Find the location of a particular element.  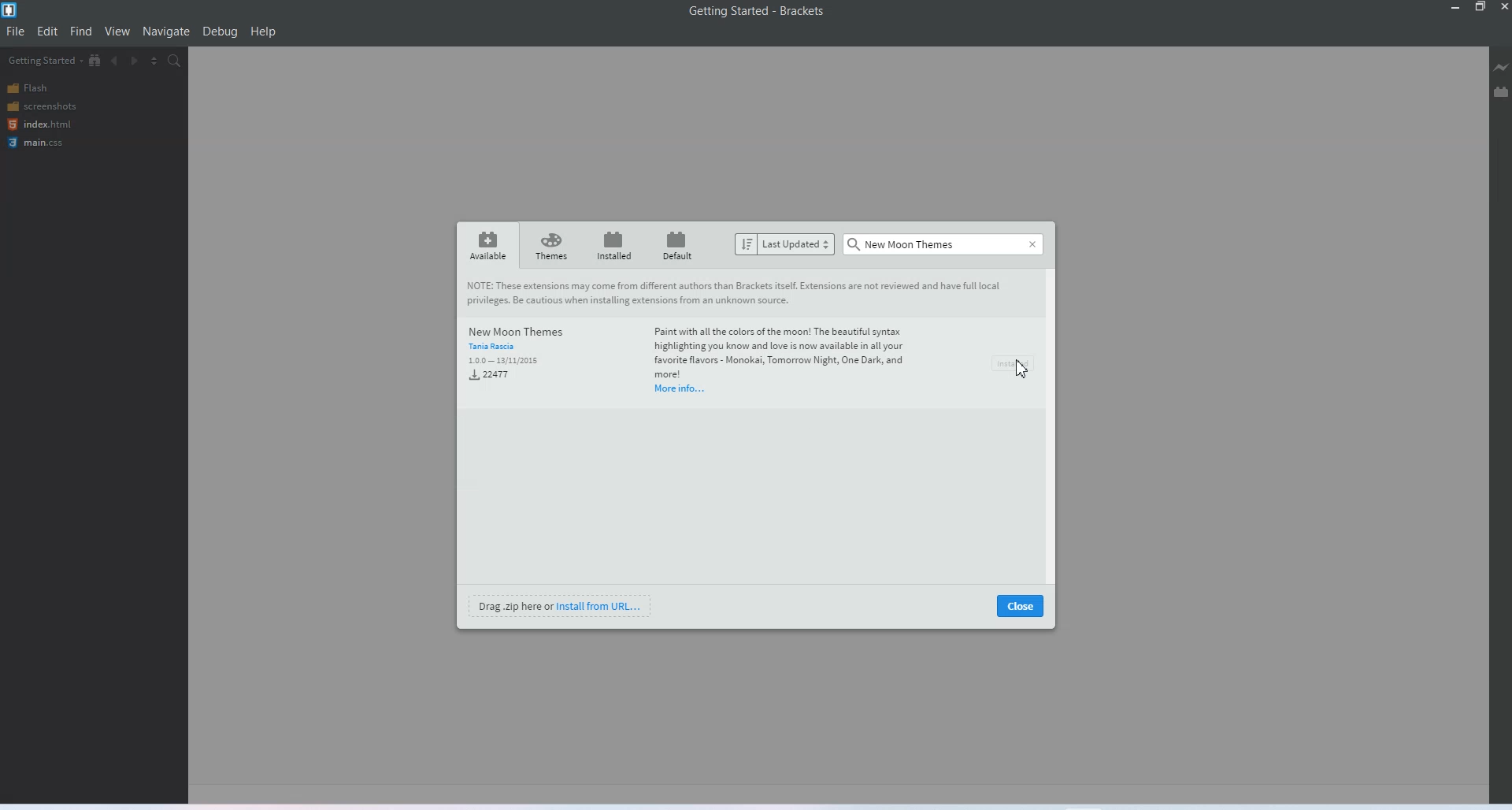

Paint with all the colors of the moon! The beautiful syntaxhighlighting you know and love is now available in al yourfavorite flavors - Monokai, Tomorrow Night, One Dark, and more! is located at coordinates (787, 351).